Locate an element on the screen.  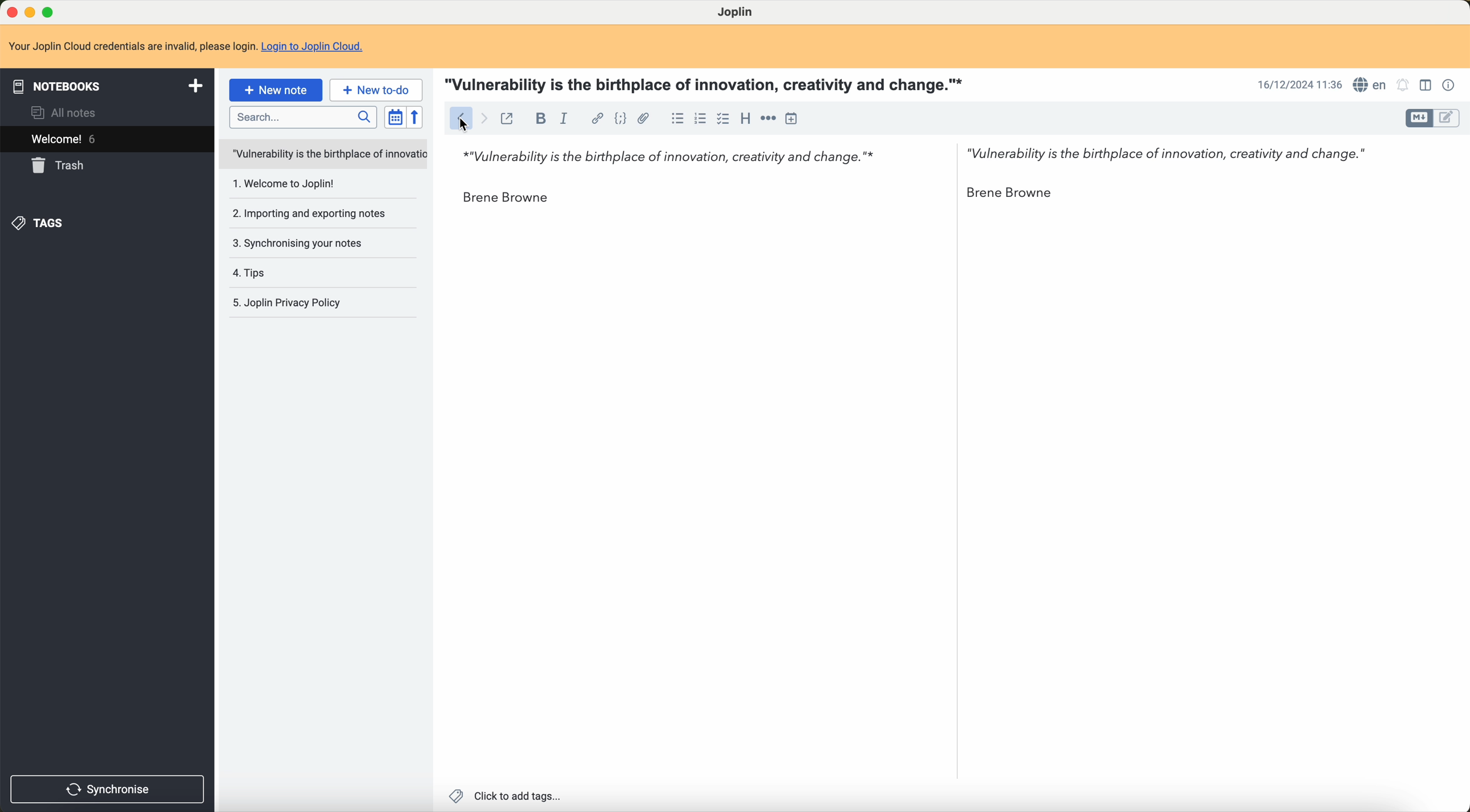
click on back is located at coordinates (459, 120).